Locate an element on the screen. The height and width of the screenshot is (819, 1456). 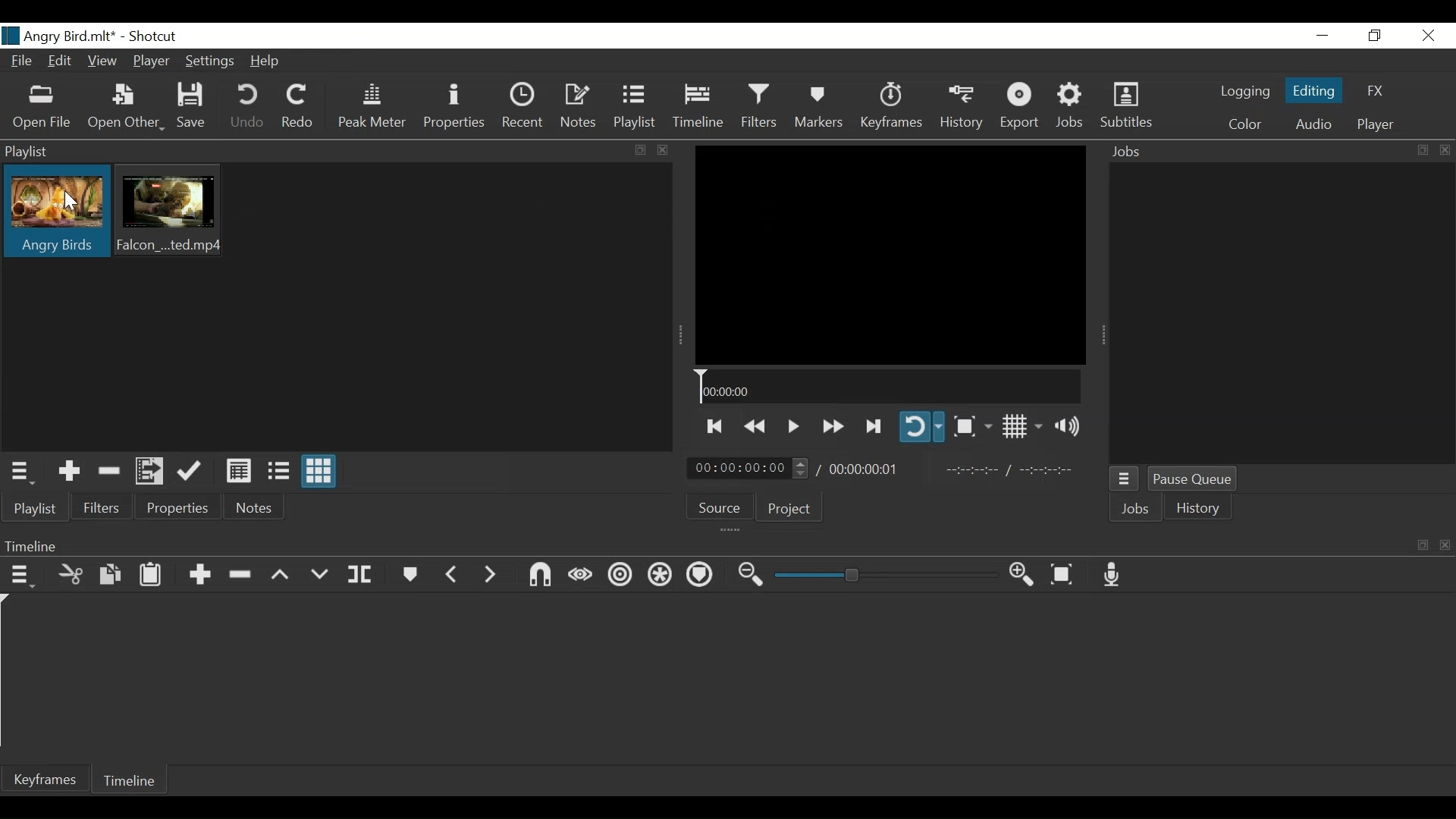
Markers is located at coordinates (817, 108).